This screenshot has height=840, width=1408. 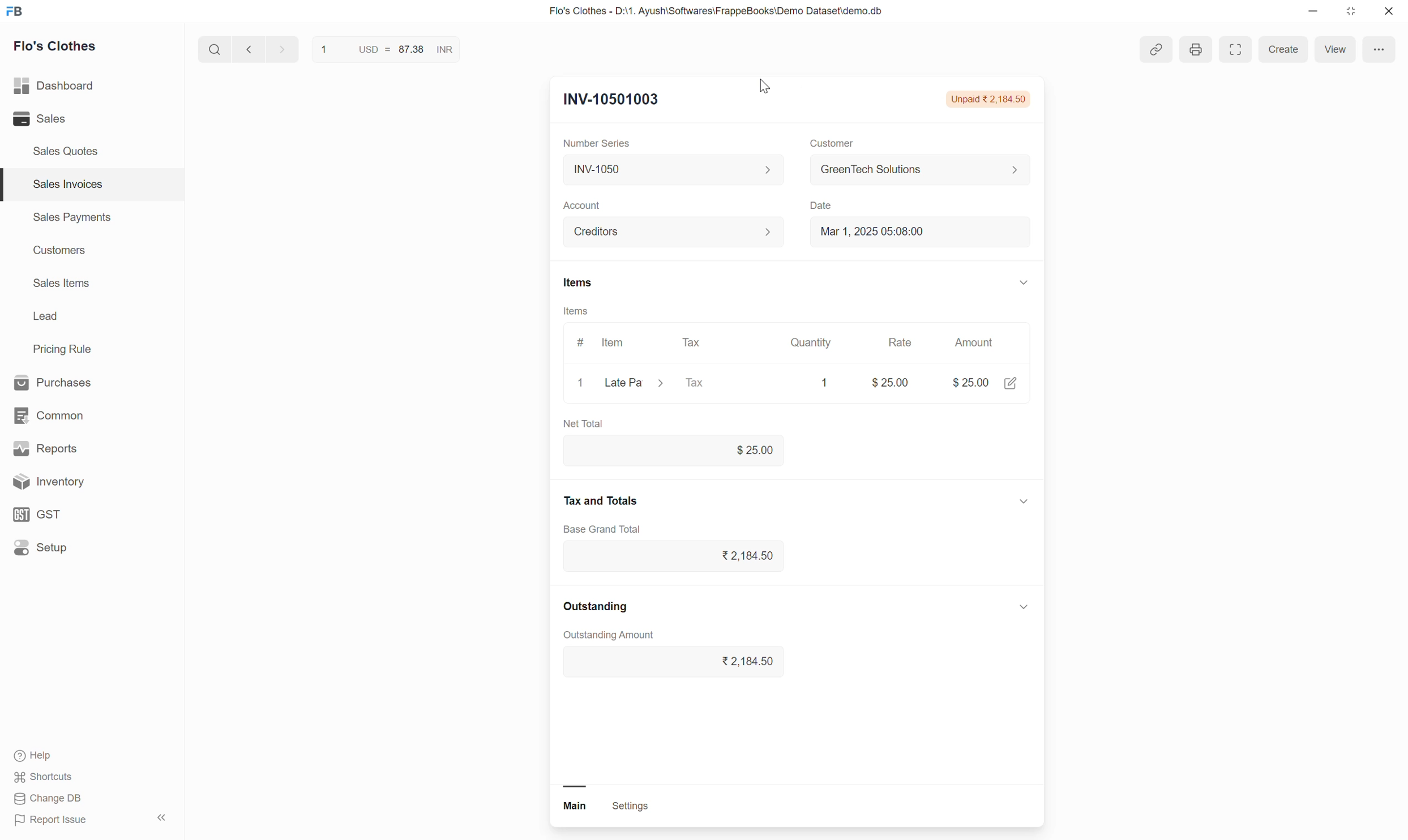 What do you see at coordinates (577, 383) in the screenshot?
I see `close ` at bounding box center [577, 383].